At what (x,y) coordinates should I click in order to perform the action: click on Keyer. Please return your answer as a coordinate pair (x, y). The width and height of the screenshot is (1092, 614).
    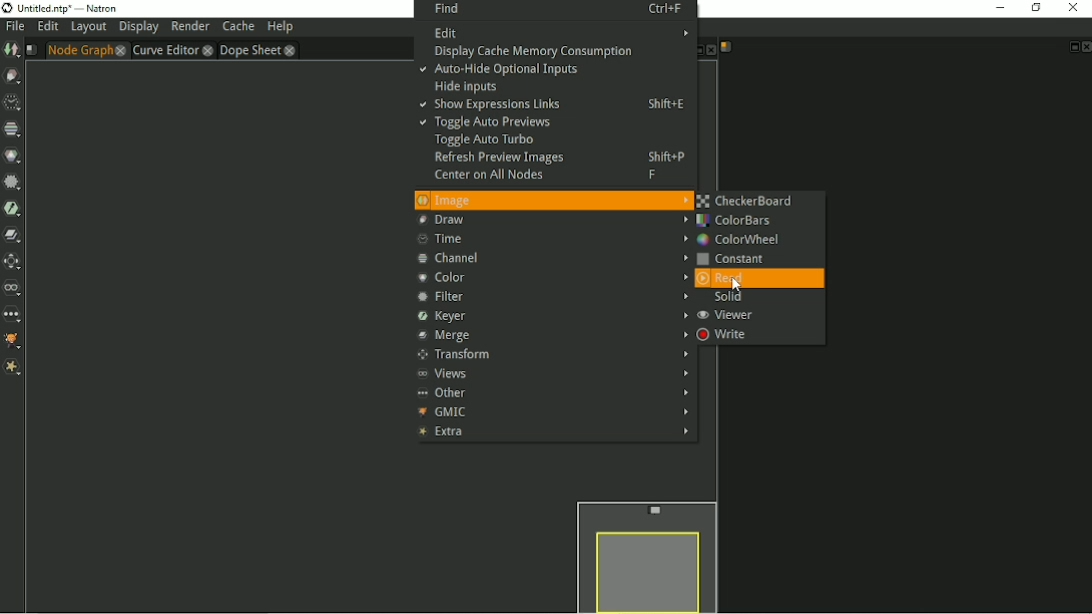
    Looking at the image, I should click on (551, 316).